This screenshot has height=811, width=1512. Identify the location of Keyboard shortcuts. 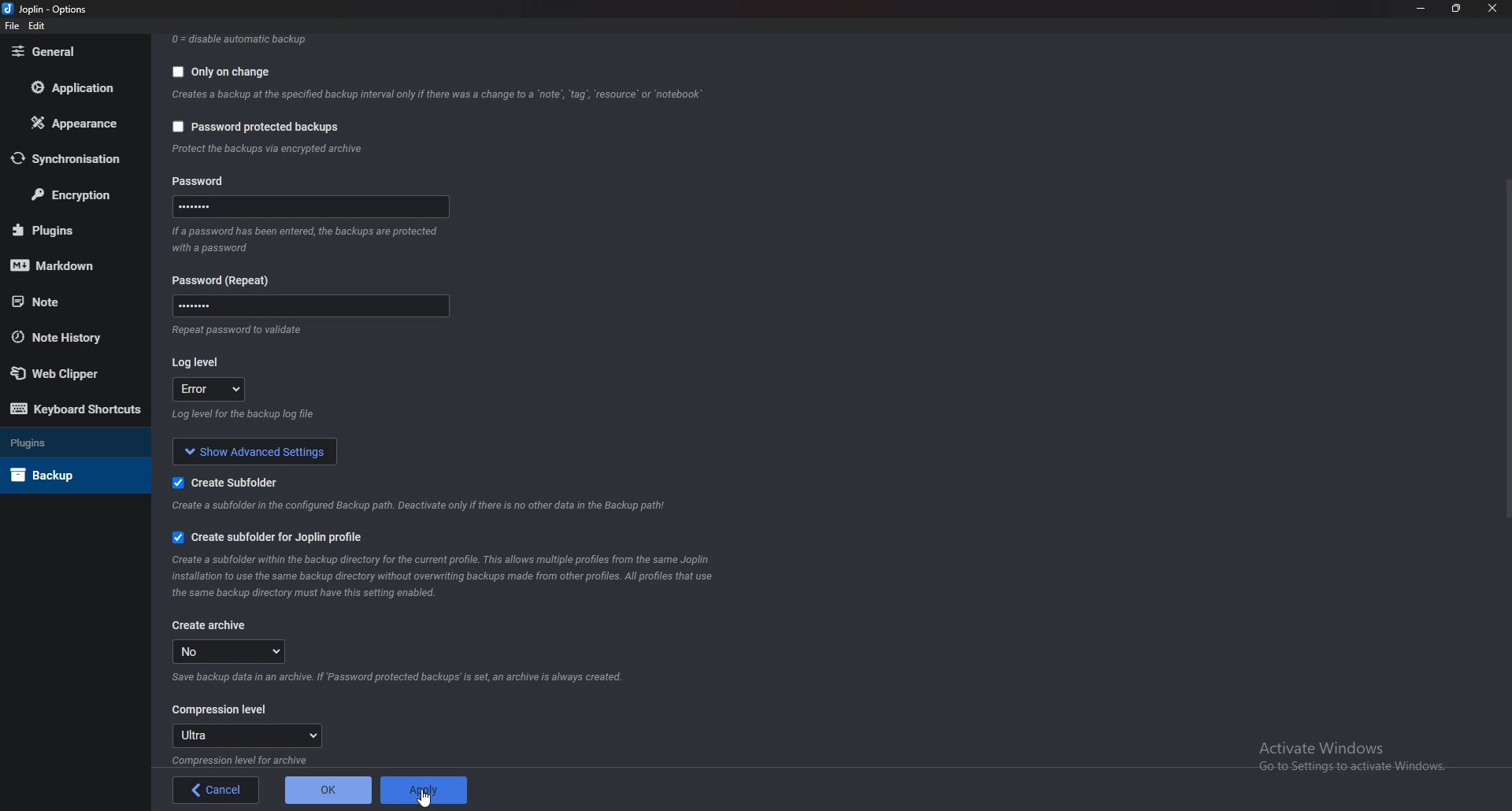
(76, 411).